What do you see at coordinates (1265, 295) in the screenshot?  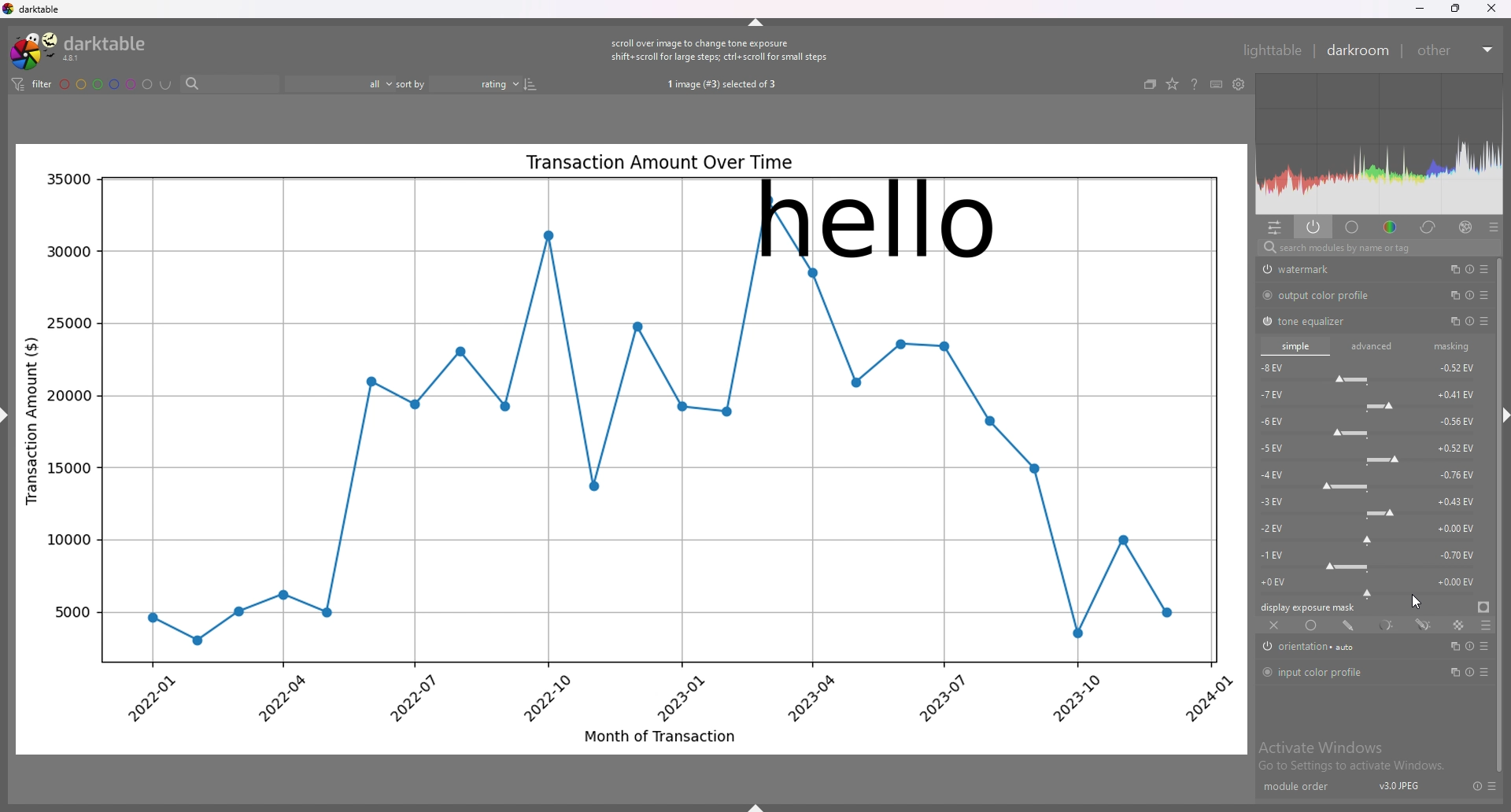 I see `switch off/on` at bounding box center [1265, 295].